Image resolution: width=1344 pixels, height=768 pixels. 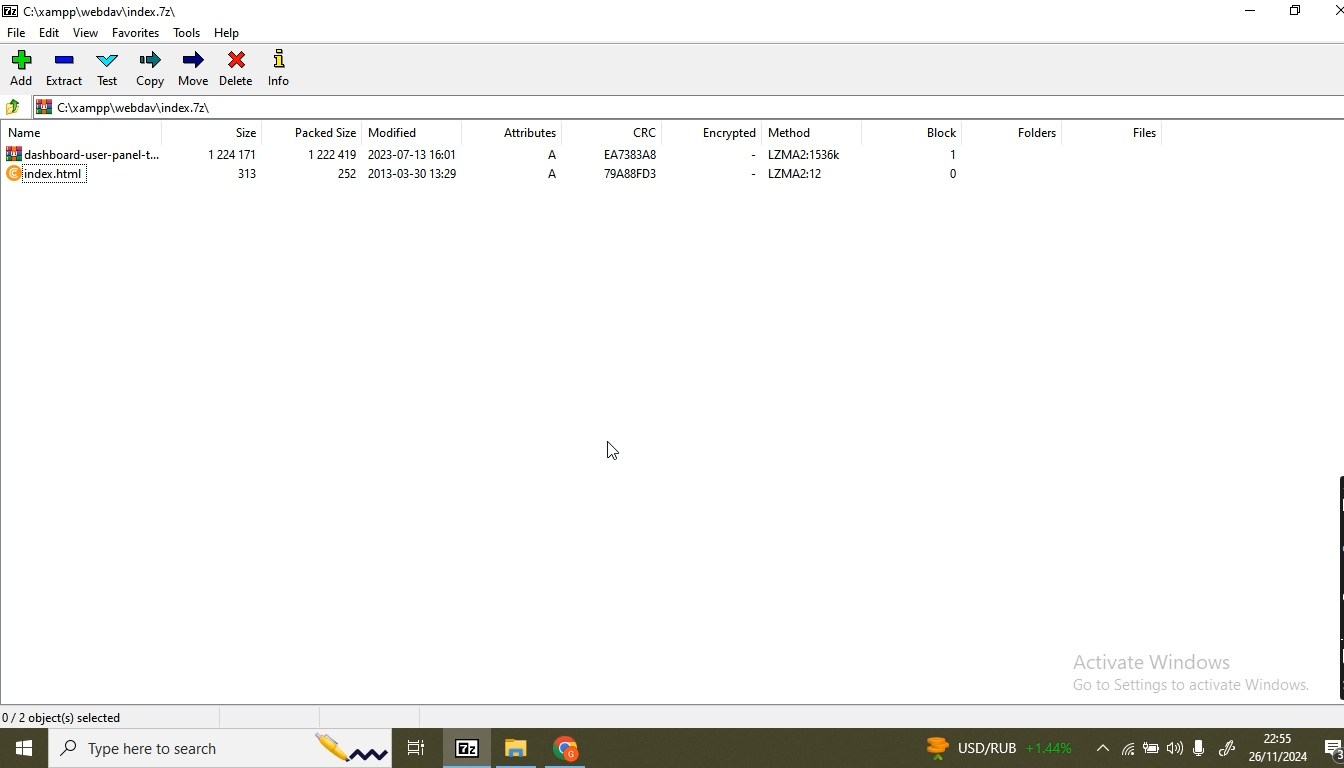 I want to click on tools, so click(x=190, y=34).